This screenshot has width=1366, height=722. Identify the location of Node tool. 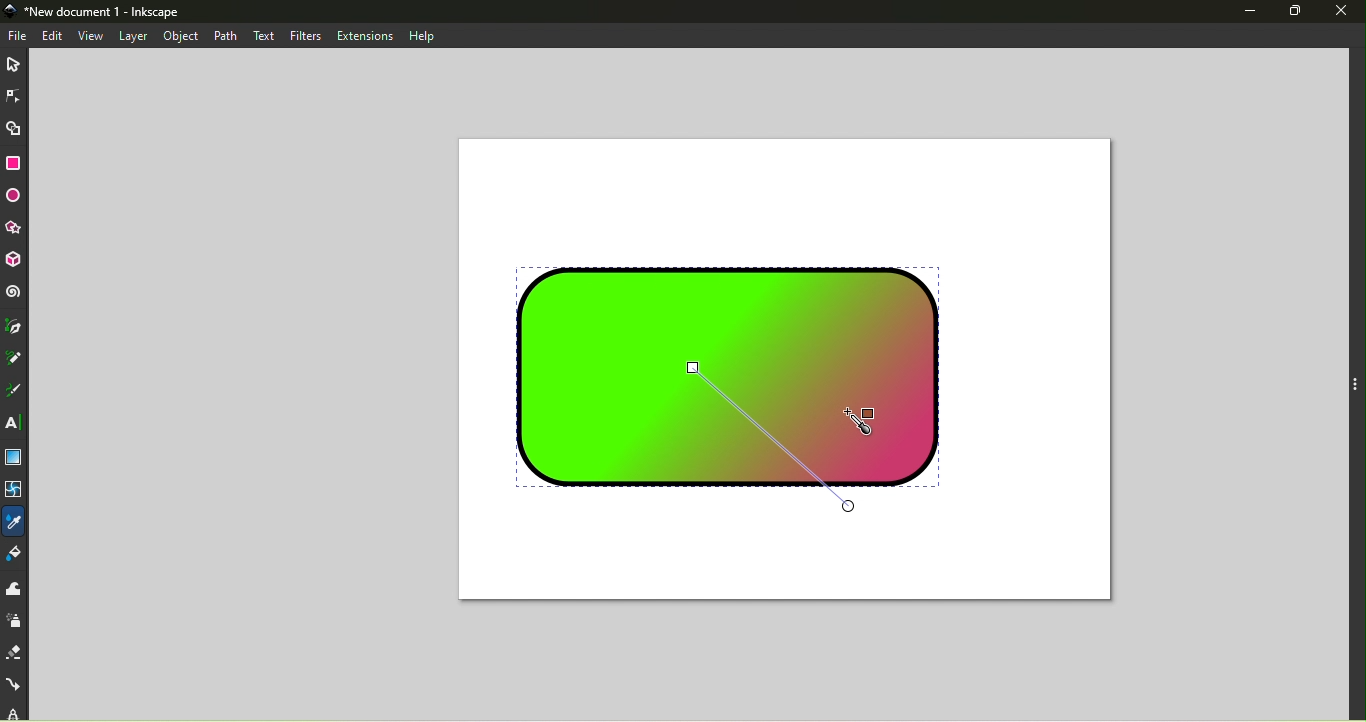
(13, 94).